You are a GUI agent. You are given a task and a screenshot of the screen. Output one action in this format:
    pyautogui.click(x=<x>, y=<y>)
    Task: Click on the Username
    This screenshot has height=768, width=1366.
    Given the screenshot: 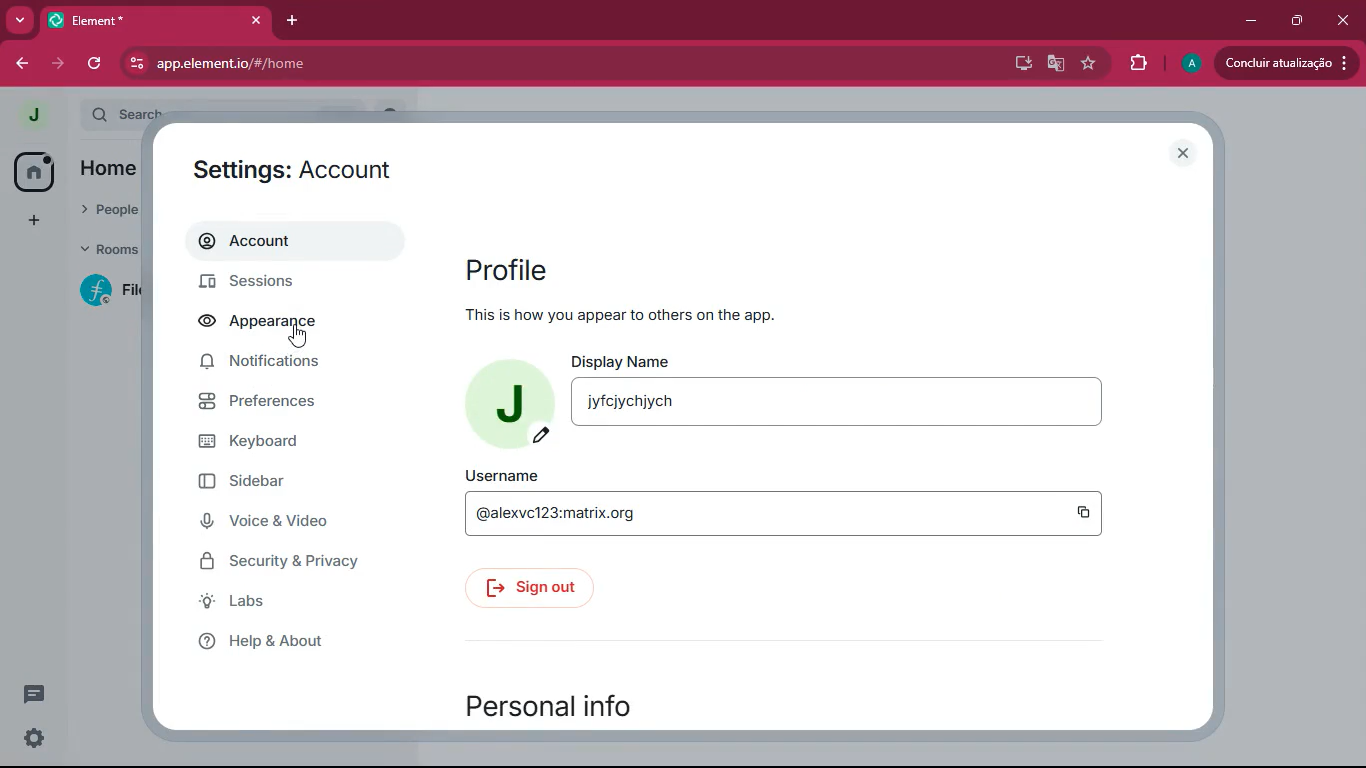 What is the action you would take?
    pyautogui.click(x=501, y=476)
    